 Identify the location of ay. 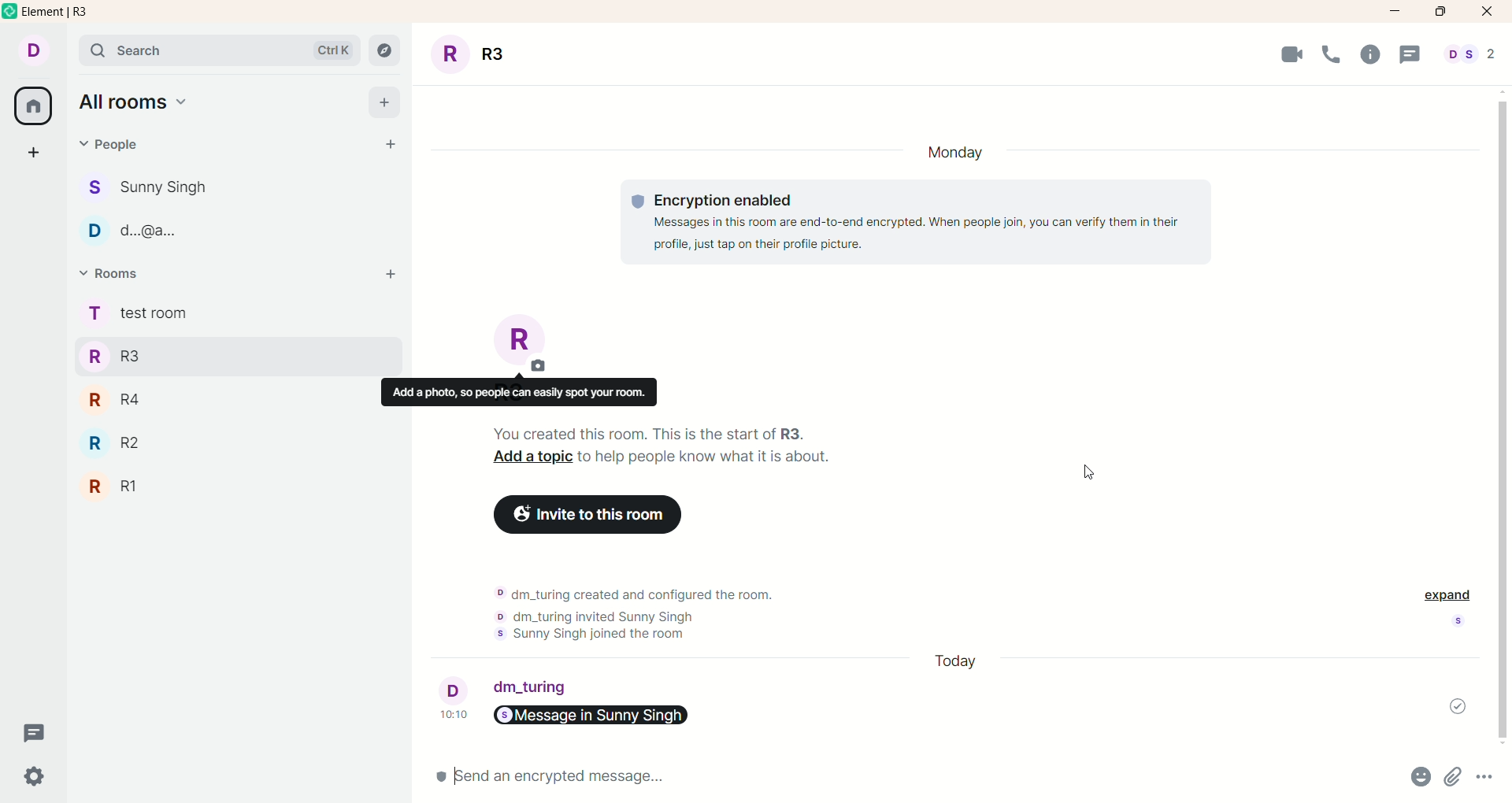
(951, 151).